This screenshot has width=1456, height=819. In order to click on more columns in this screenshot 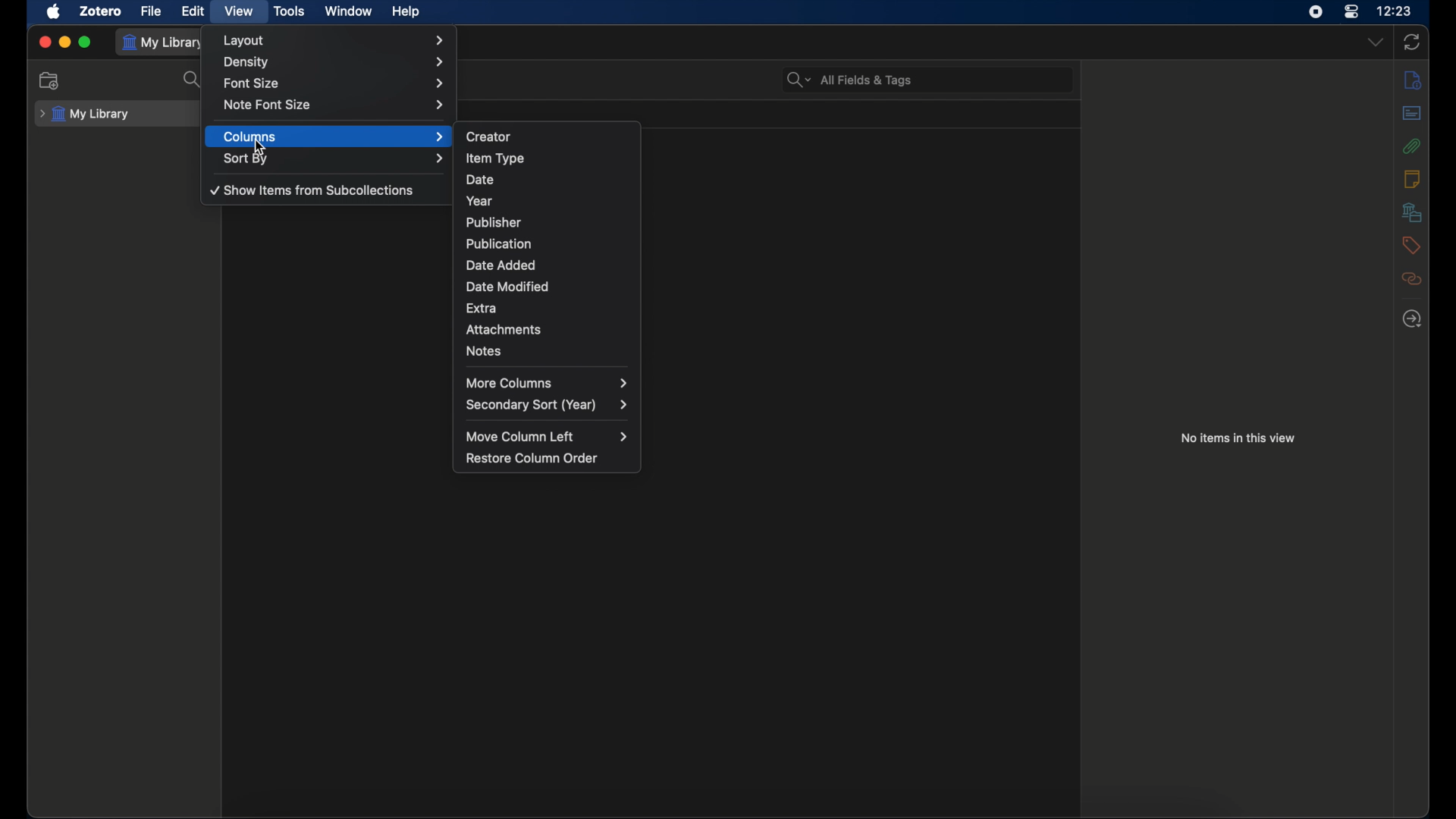, I will do `click(548, 383)`.